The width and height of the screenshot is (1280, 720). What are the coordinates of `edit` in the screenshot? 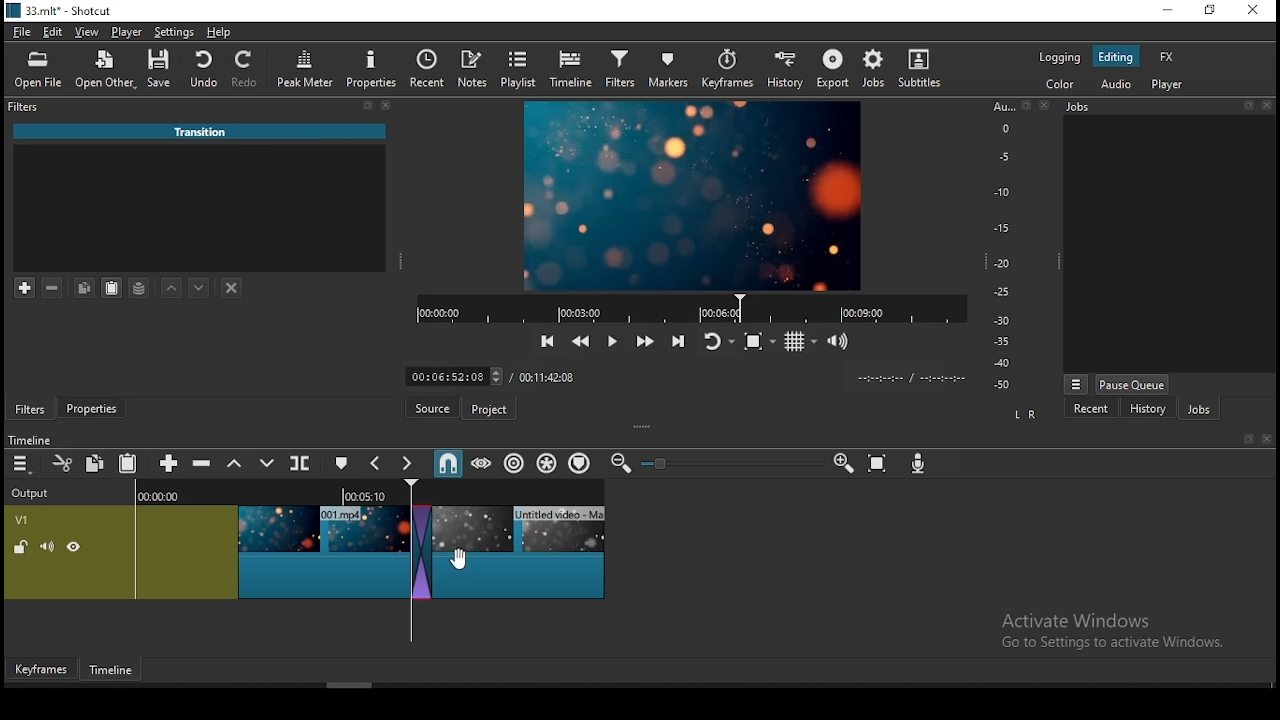 It's located at (53, 31).